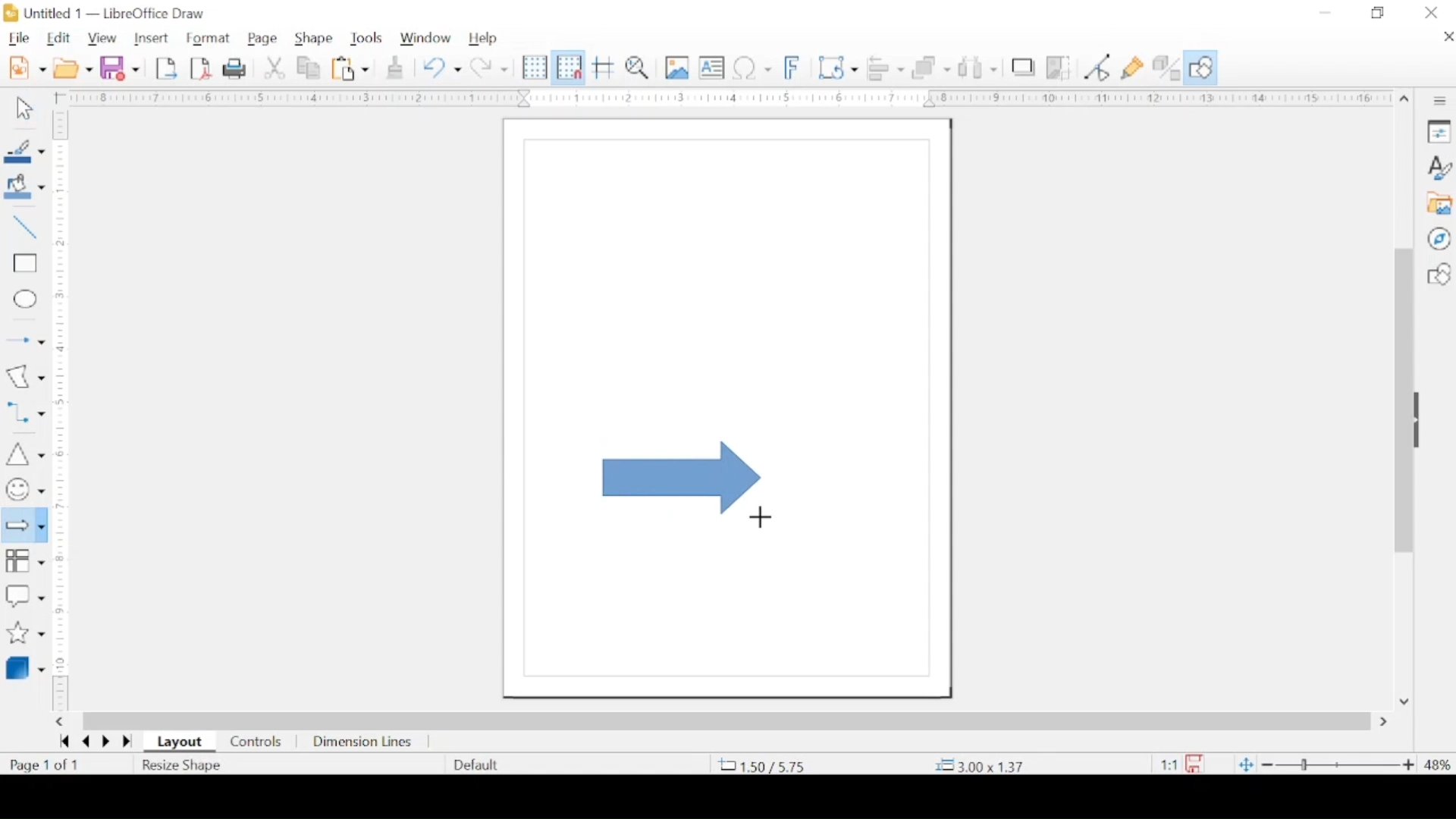  Describe the element at coordinates (24, 108) in the screenshot. I see `select` at that location.